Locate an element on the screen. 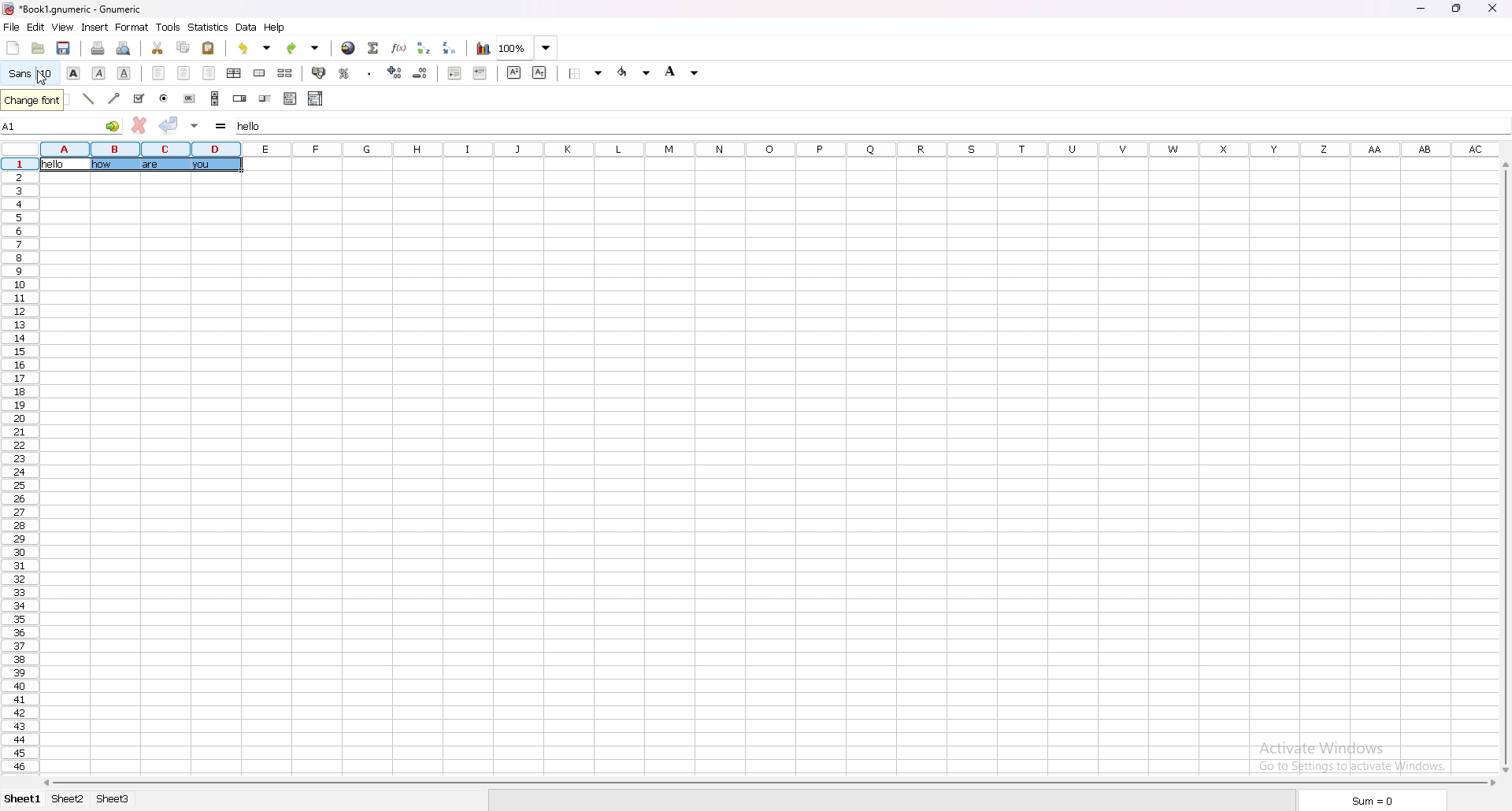  scroll bar is located at coordinates (767, 783).